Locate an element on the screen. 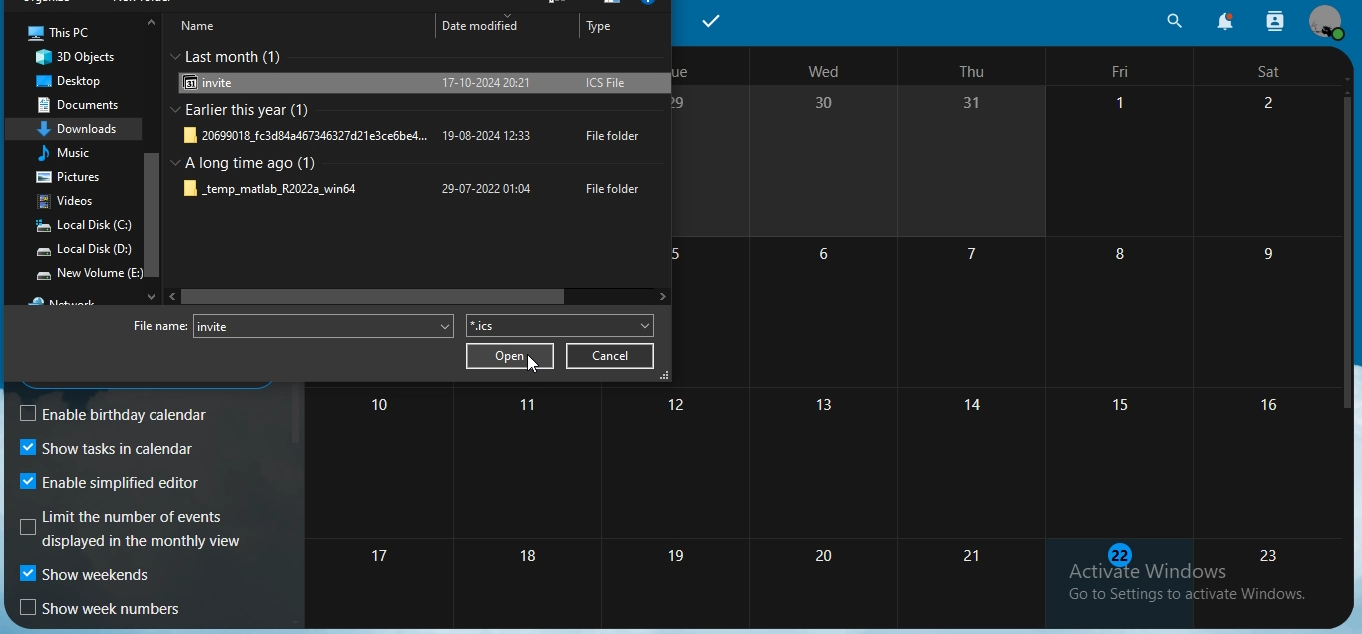  notifications is located at coordinates (1222, 21).